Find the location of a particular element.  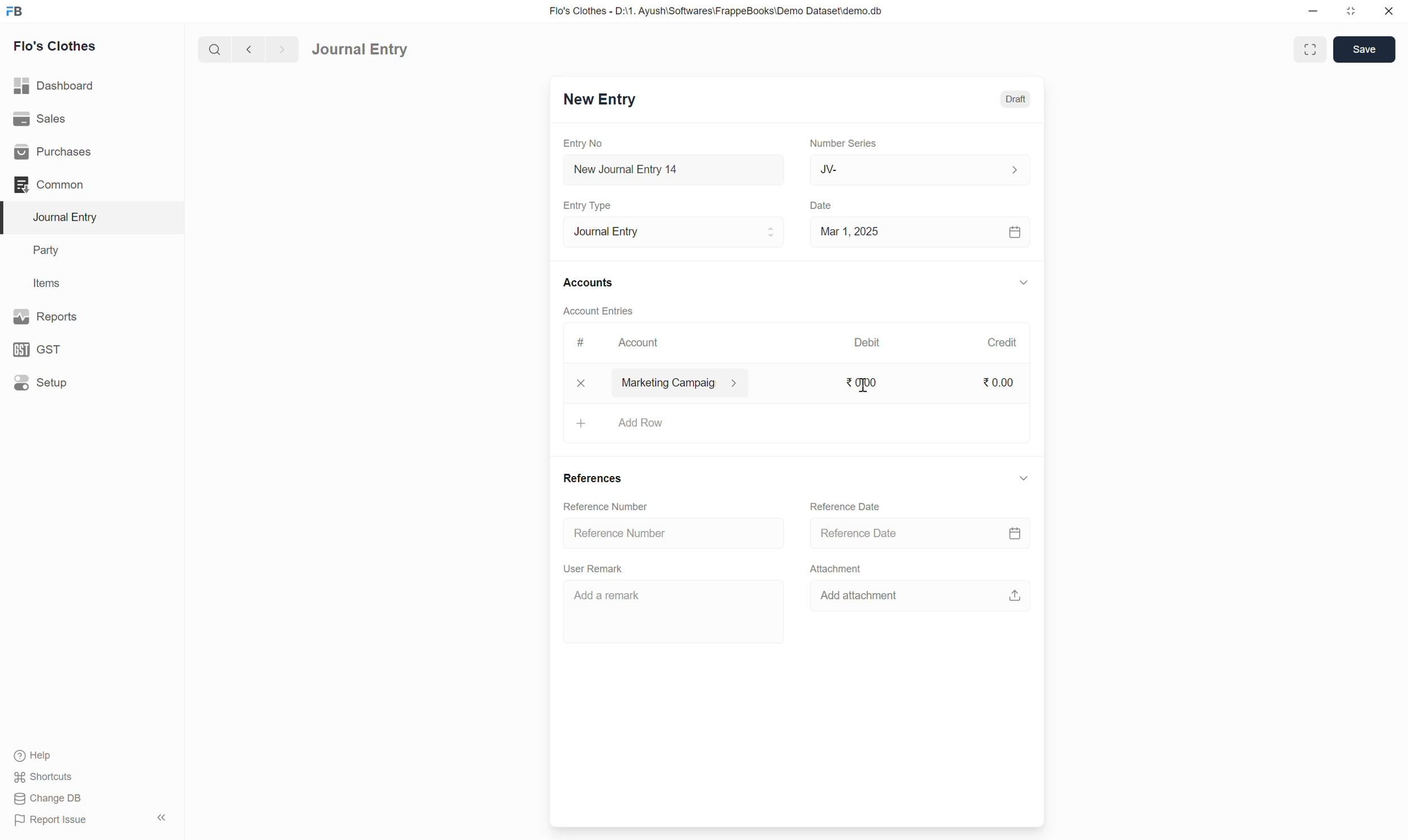

Journal Entry is located at coordinates (70, 217).